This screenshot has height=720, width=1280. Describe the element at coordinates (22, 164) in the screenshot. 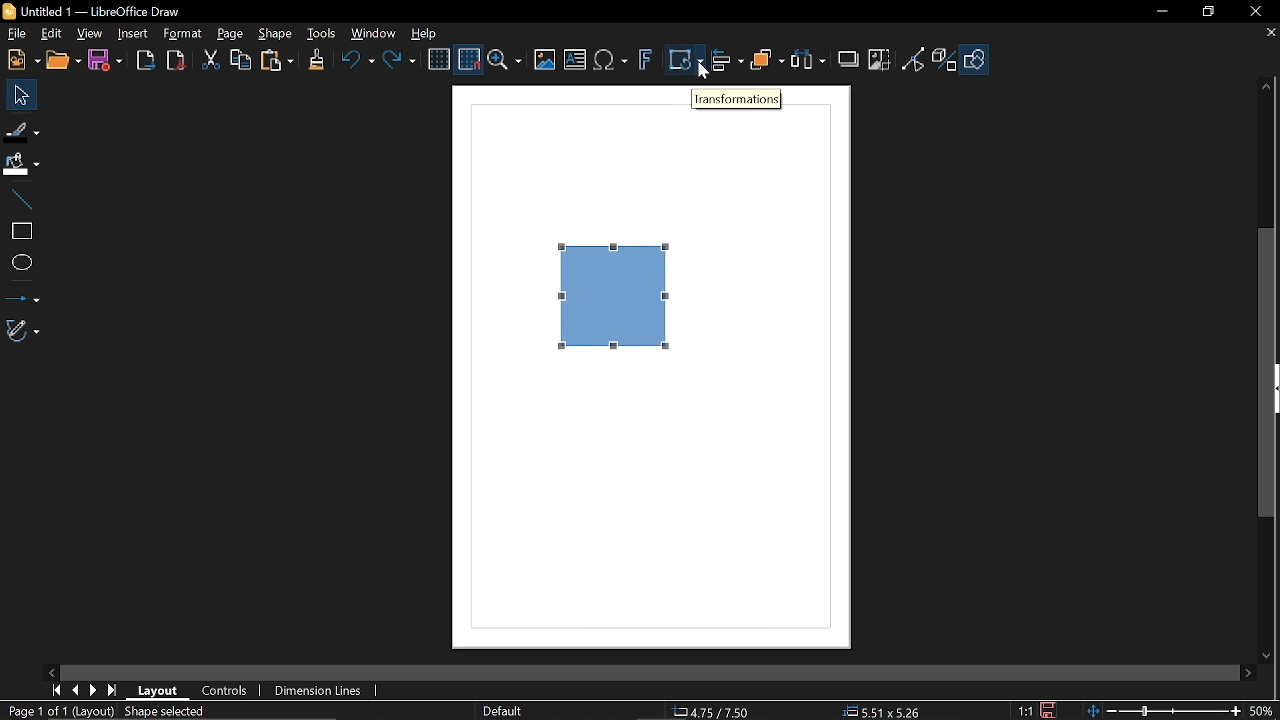

I see `Fill color` at that location.